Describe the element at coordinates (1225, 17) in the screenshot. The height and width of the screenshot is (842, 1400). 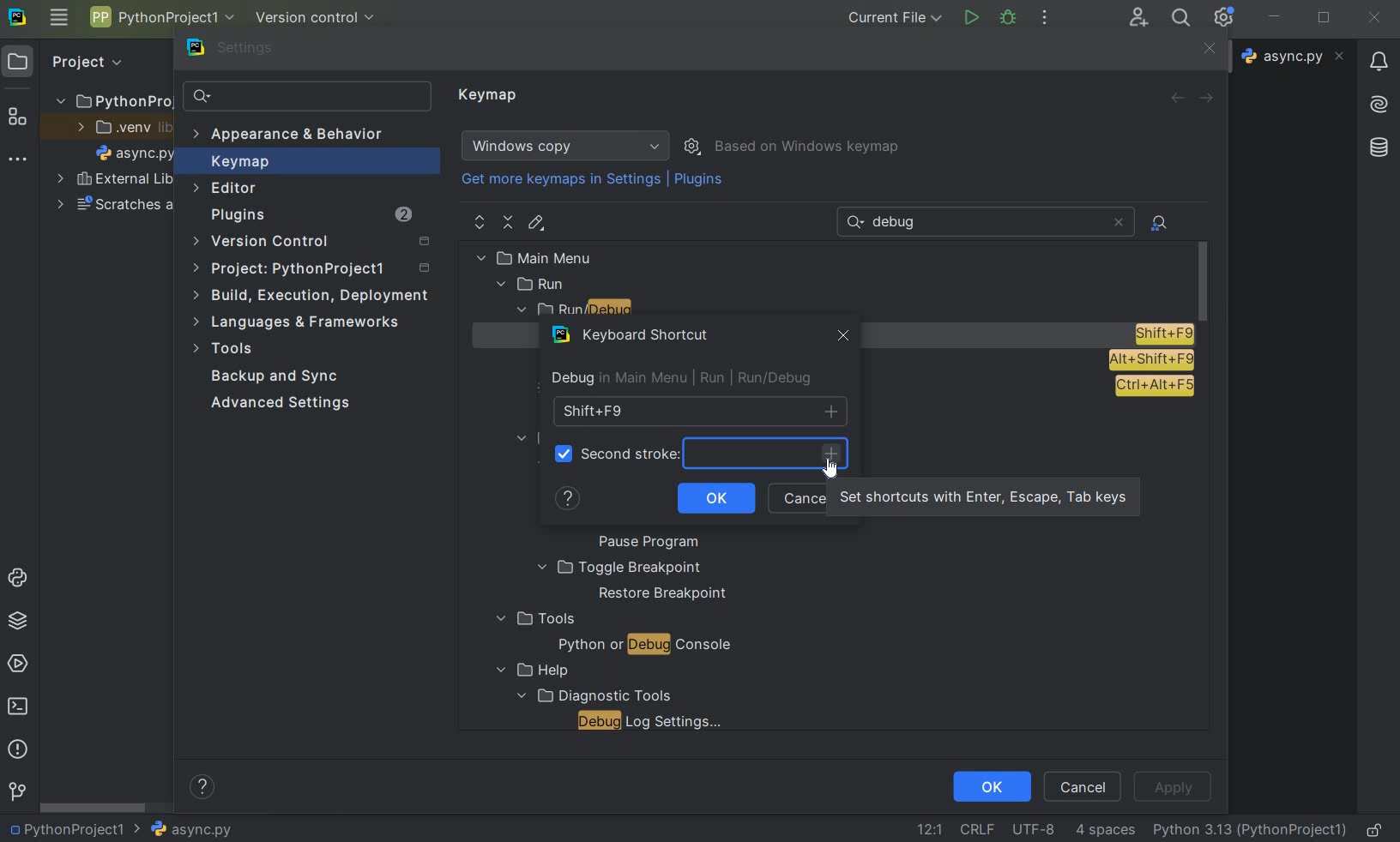
I see `ide and project settings` at that location.